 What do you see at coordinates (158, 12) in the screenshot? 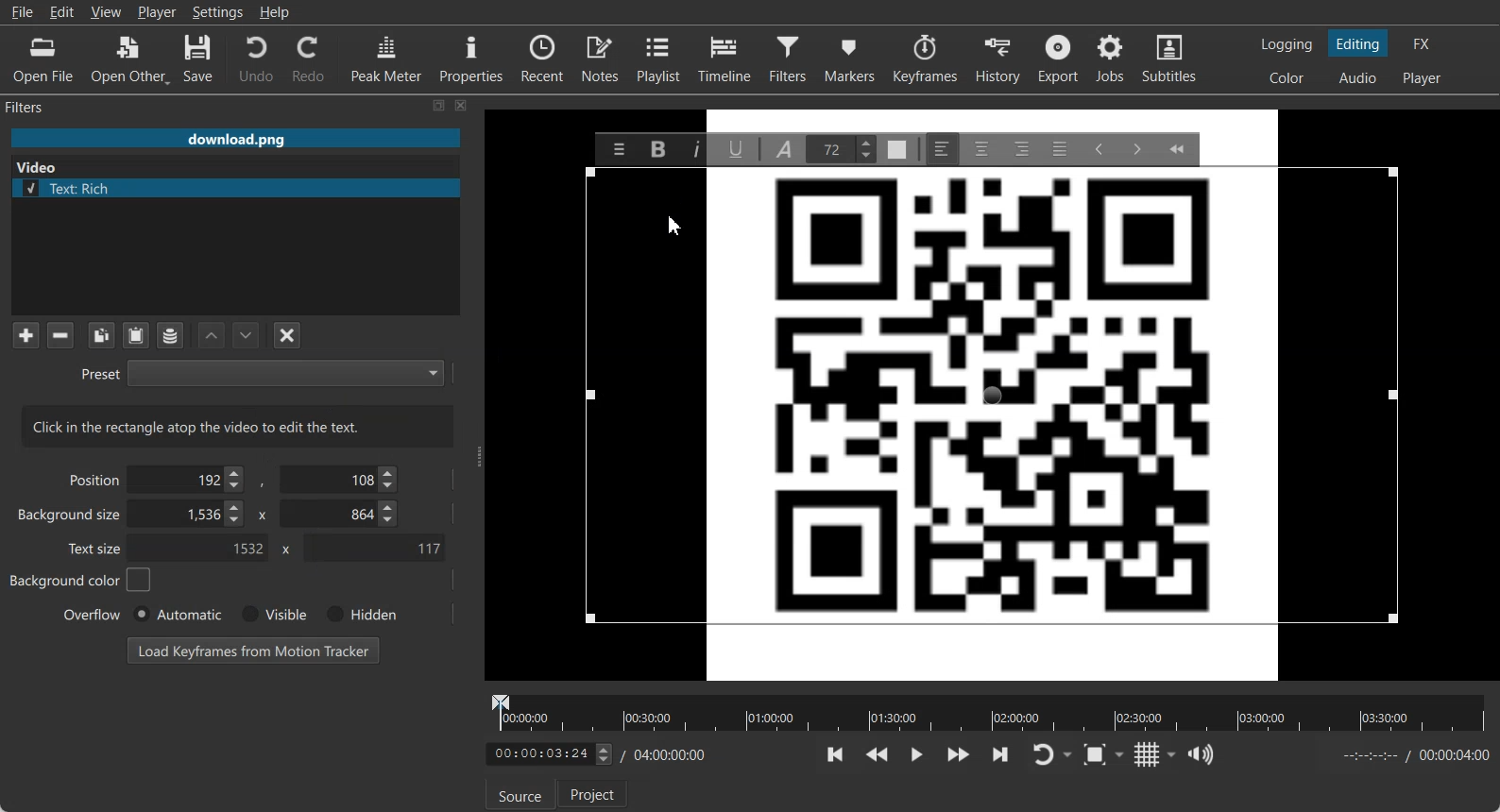
I see `Player` at bounding box center [158, 12].